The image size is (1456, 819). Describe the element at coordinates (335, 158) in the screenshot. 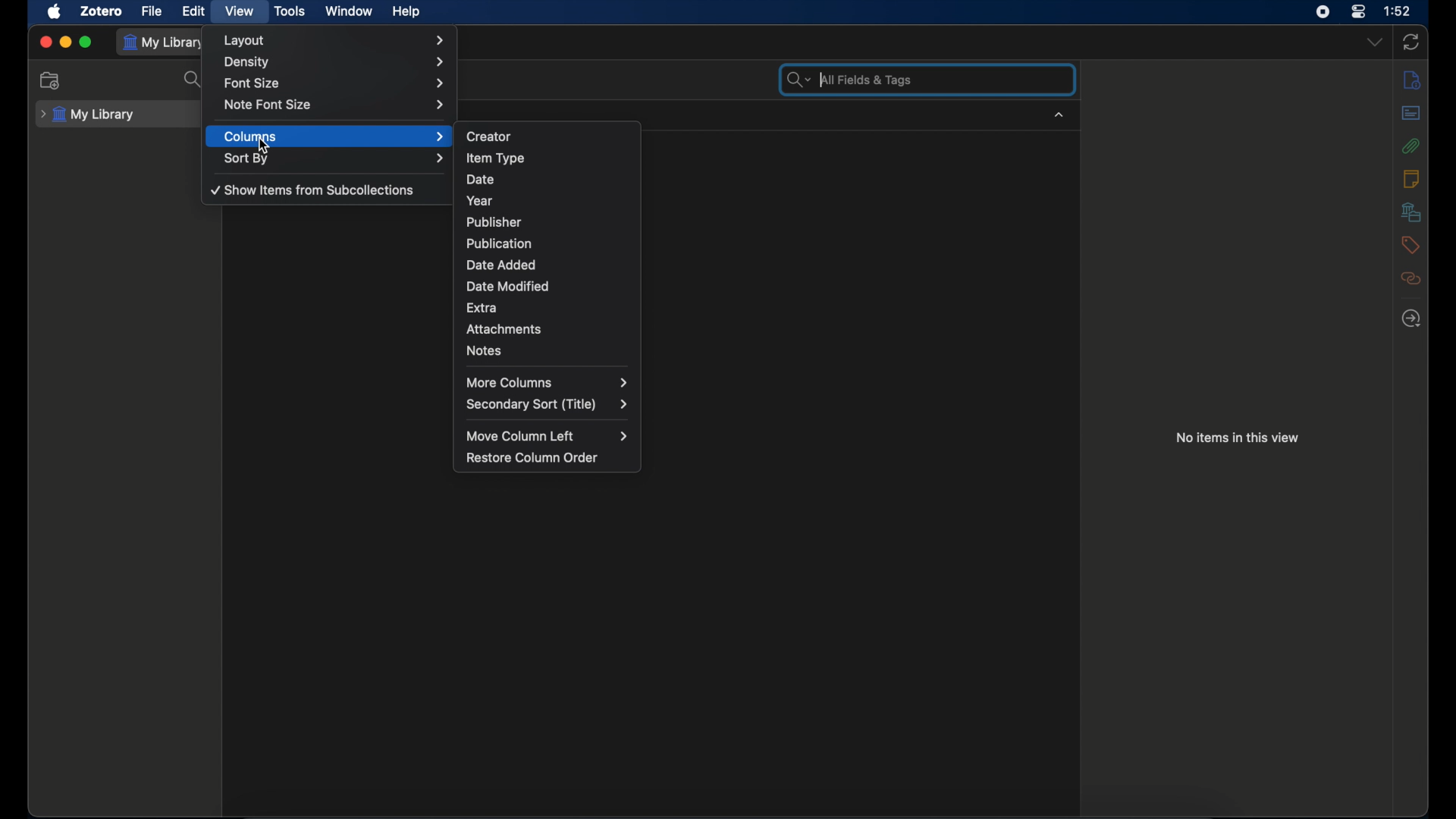

I see `sort by` at that location.